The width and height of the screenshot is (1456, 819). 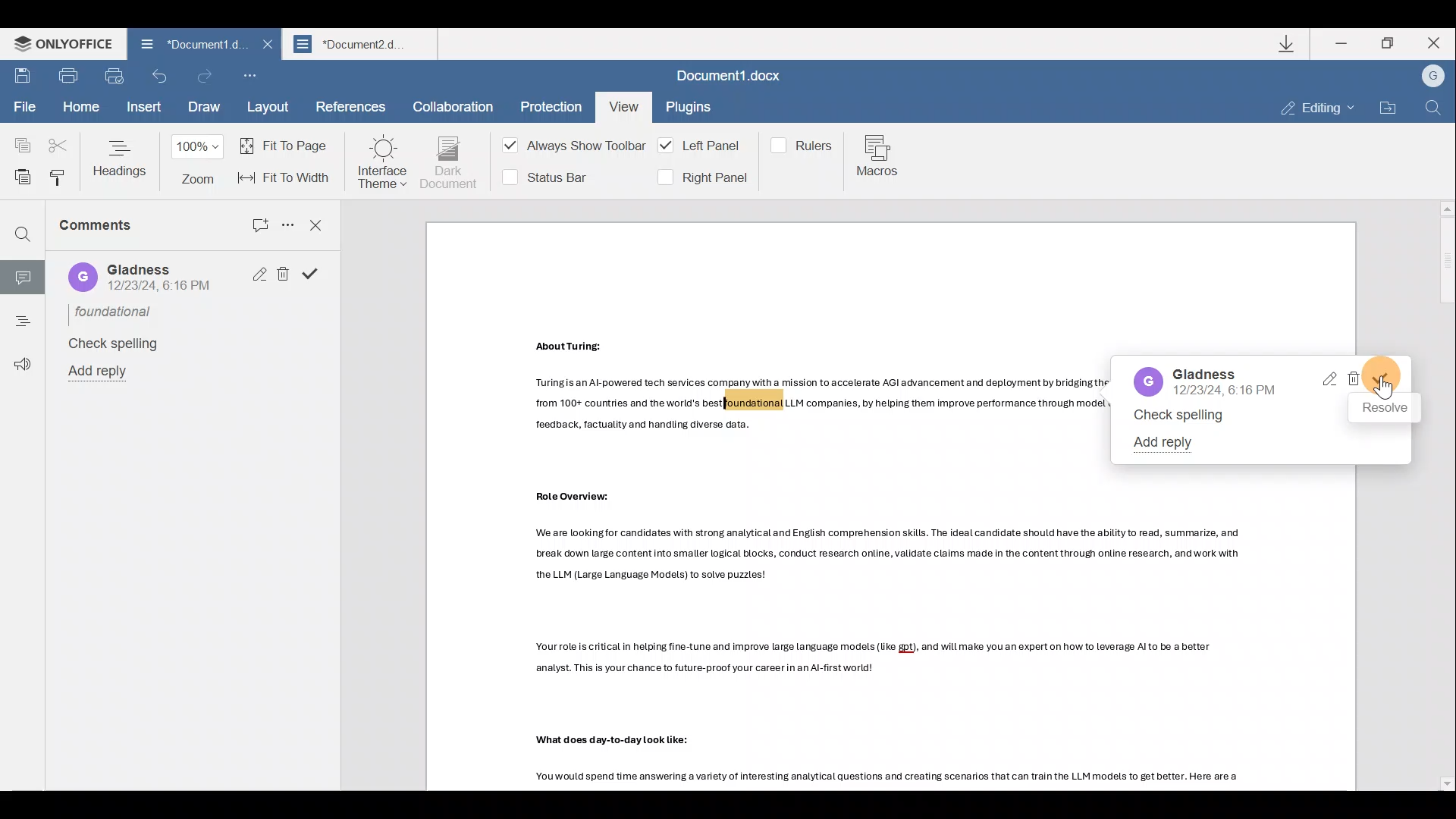 What do you see at coordinates (1288, 43) in the screenshot?
I see `Downloads` at bounding box center [1288, 43].